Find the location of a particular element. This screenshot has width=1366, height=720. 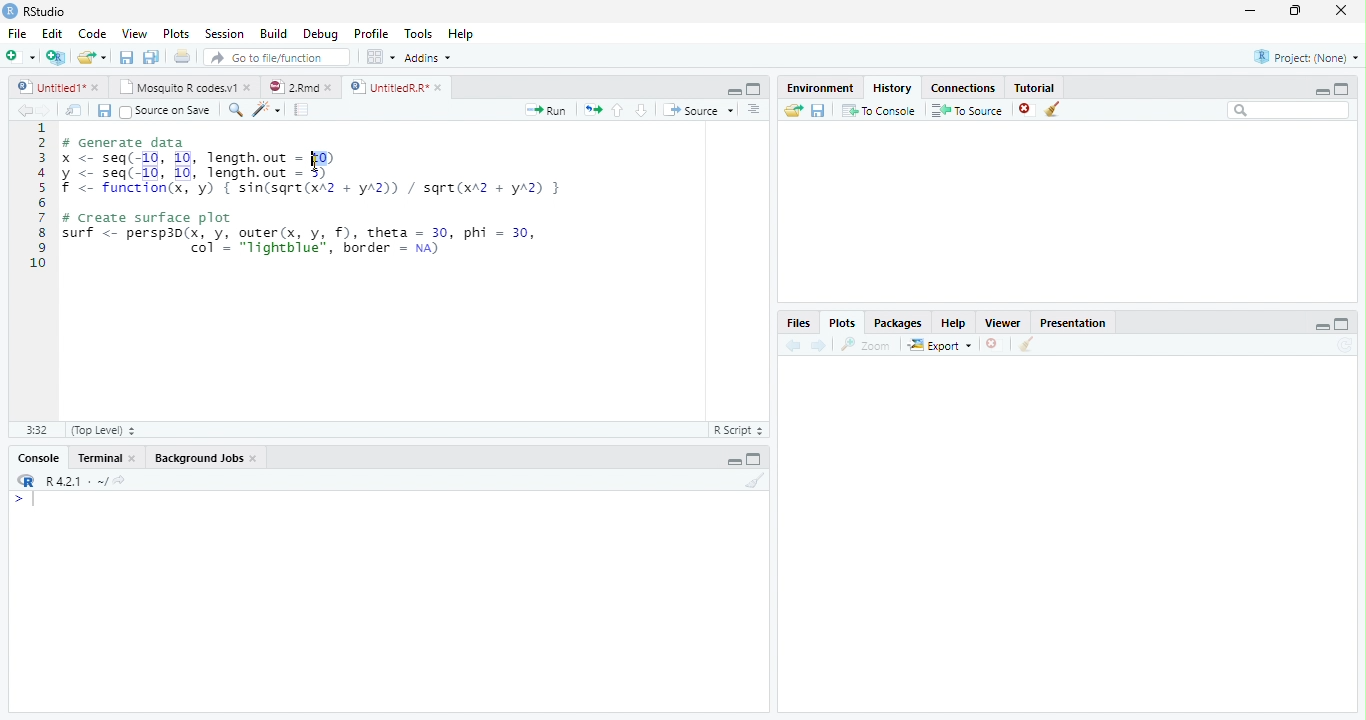

Minimize is located at coordinates (734, 461).